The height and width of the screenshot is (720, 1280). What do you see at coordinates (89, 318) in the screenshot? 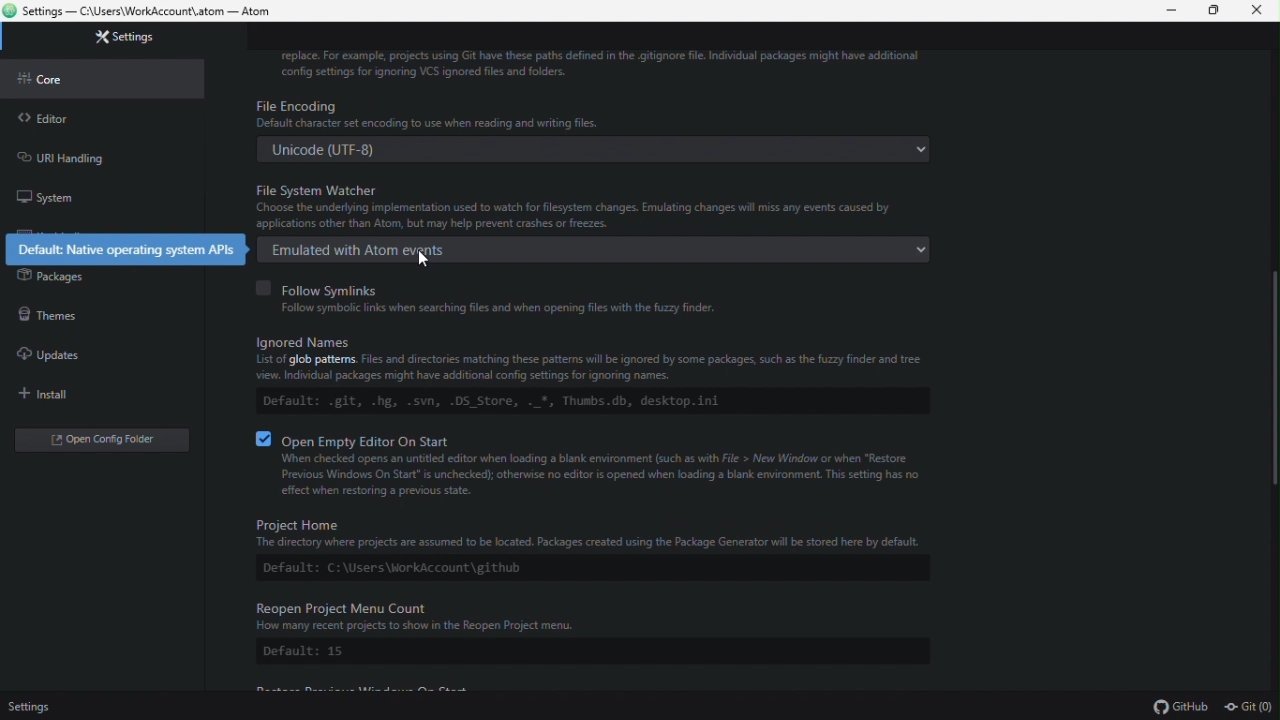
I see `themes` at bounding box center [89, 318].